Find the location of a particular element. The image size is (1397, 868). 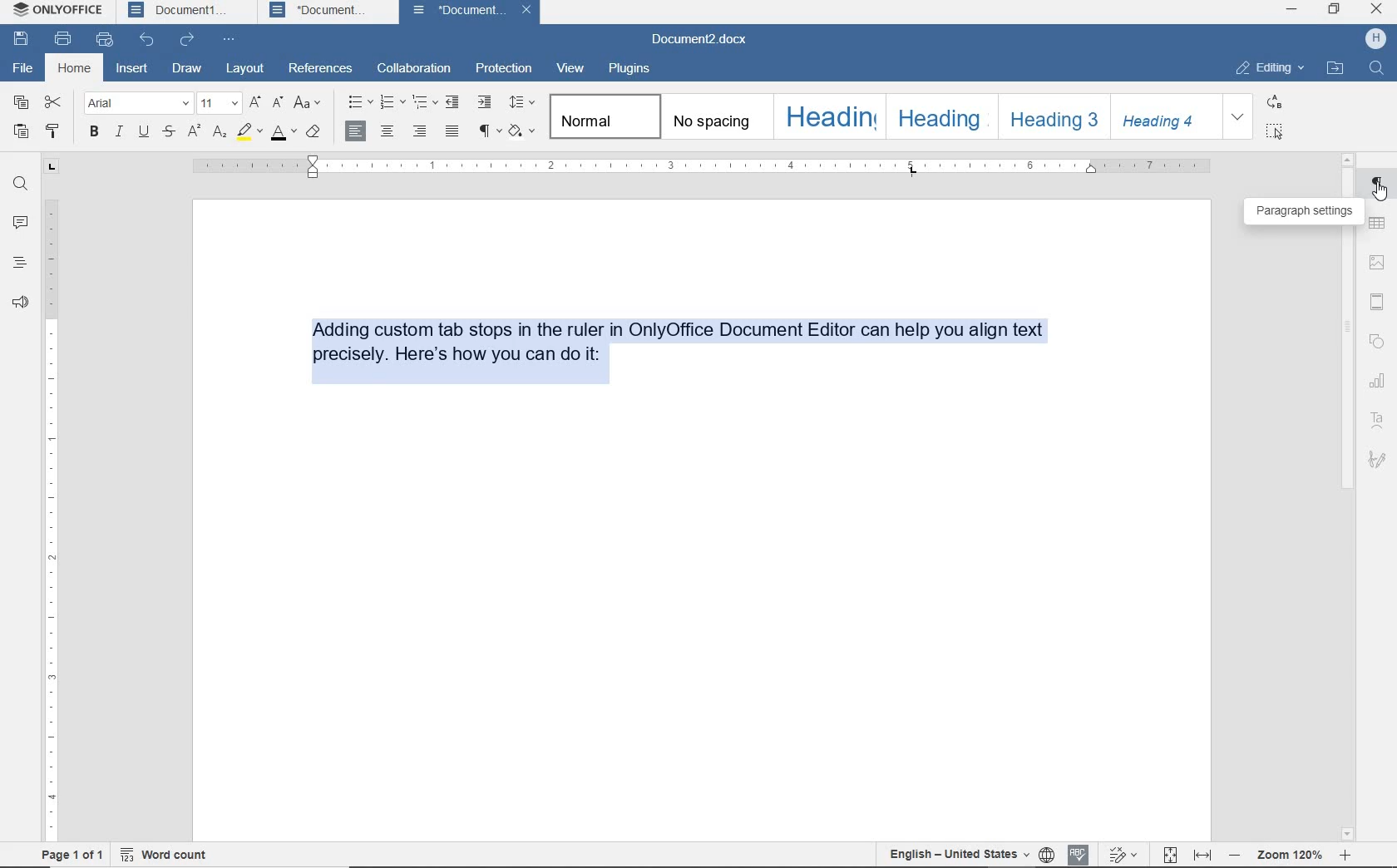

protection is located at coordinates (502, 69).